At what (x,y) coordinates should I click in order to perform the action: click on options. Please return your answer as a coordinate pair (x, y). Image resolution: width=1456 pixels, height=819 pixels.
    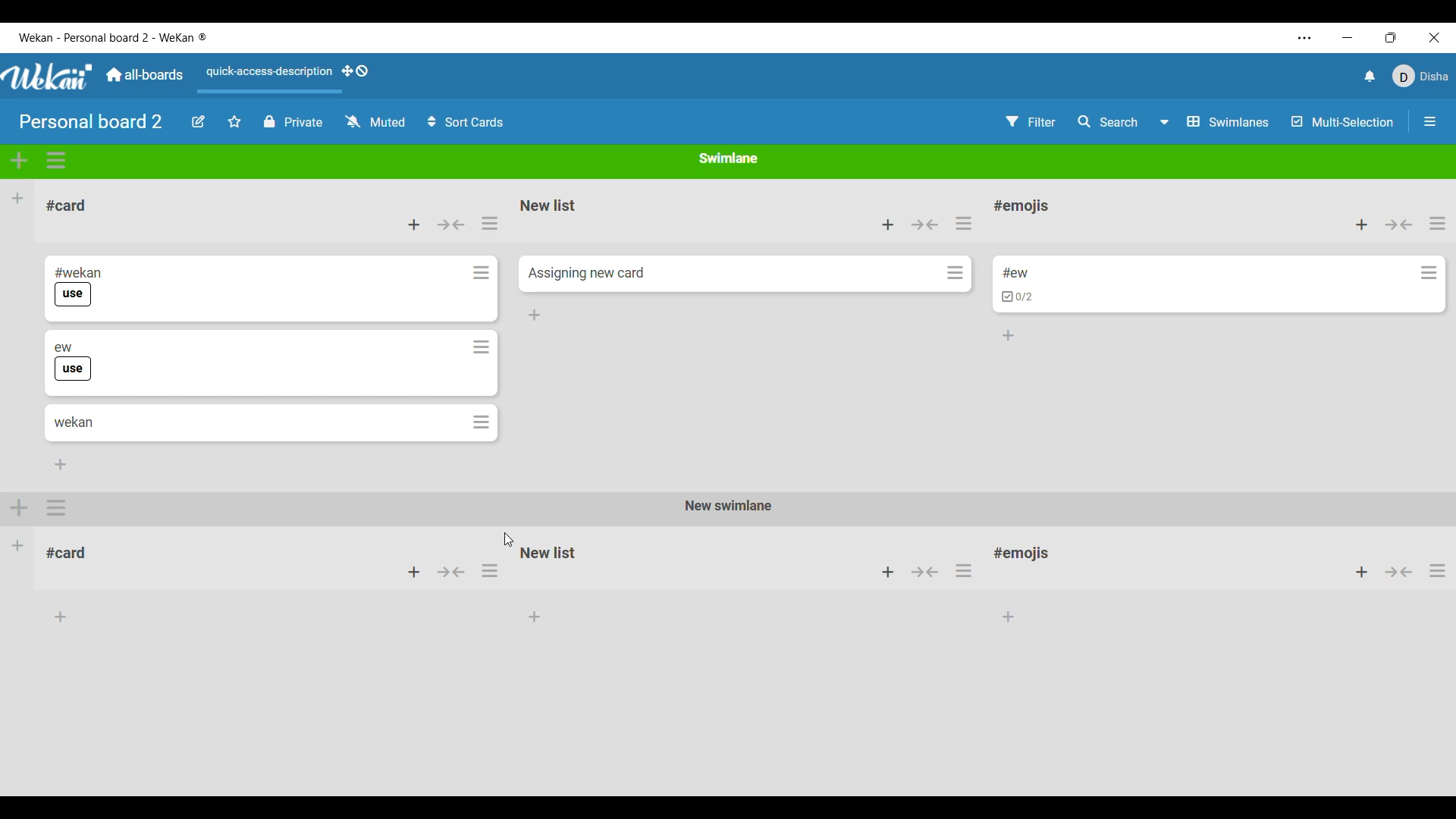
    Looking at the image, I should click on (489, 571).